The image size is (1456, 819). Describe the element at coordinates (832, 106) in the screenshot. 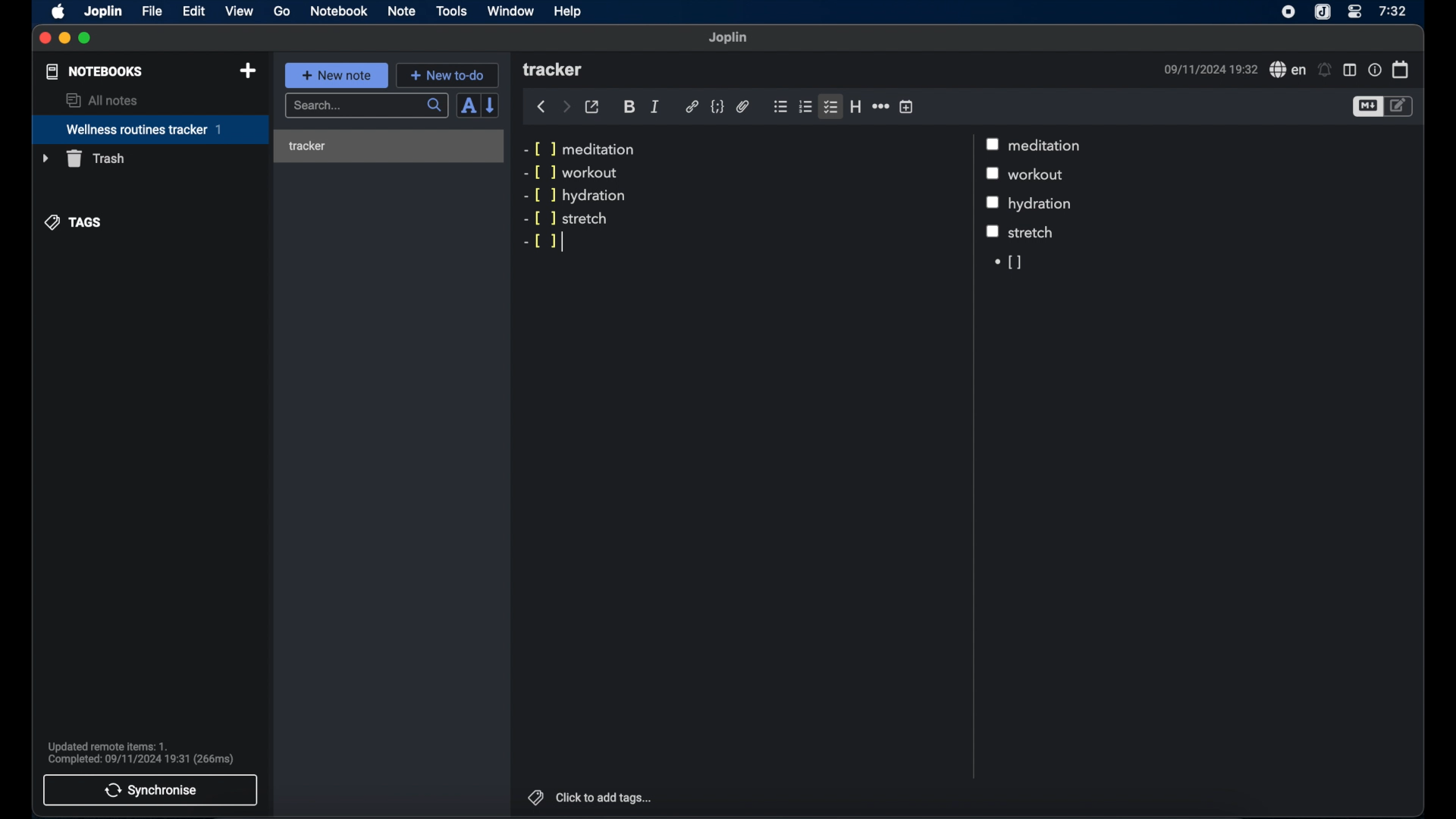

I see `checklist` at that location.